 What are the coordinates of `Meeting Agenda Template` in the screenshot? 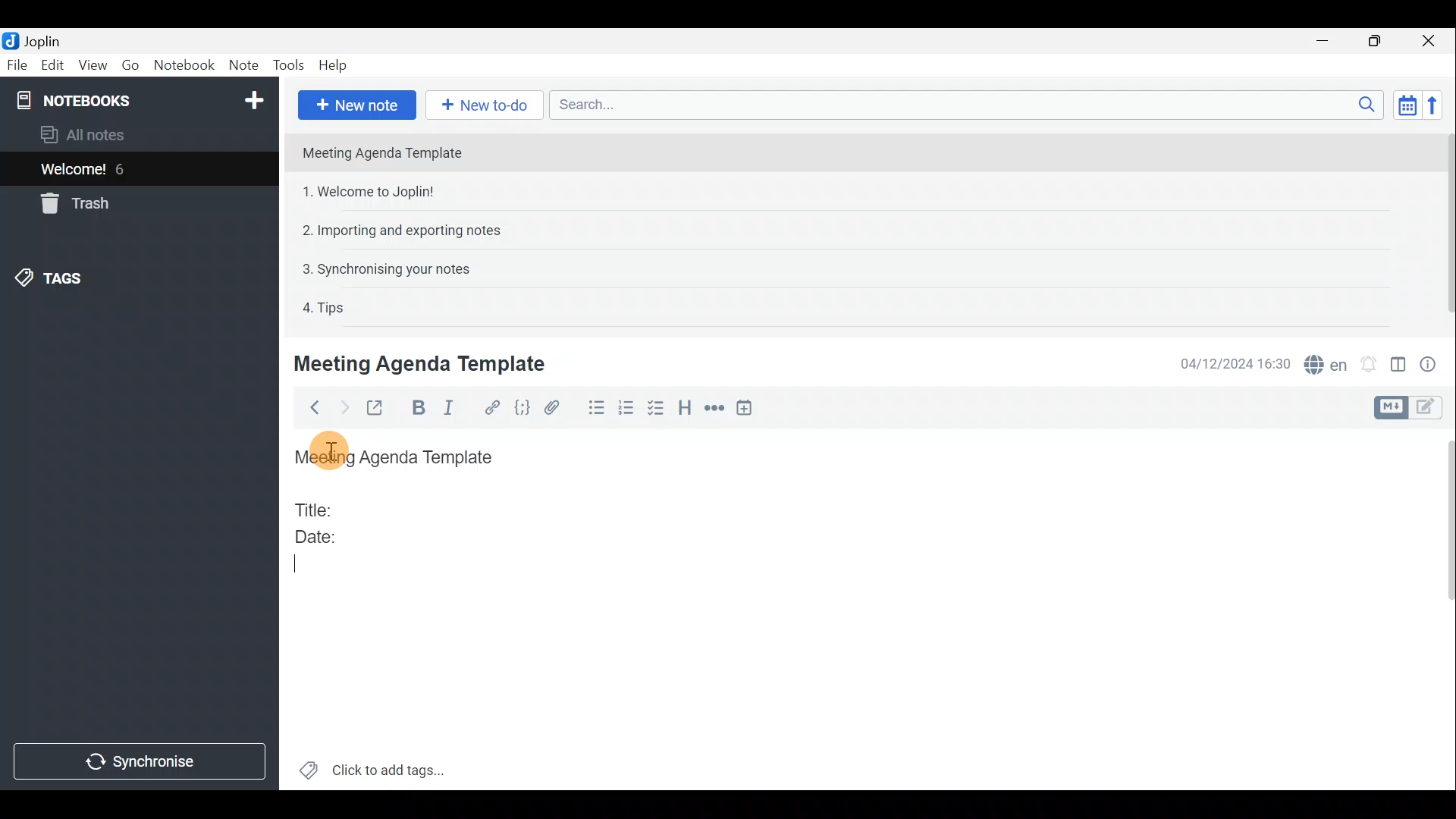 It's located at (384, 152).